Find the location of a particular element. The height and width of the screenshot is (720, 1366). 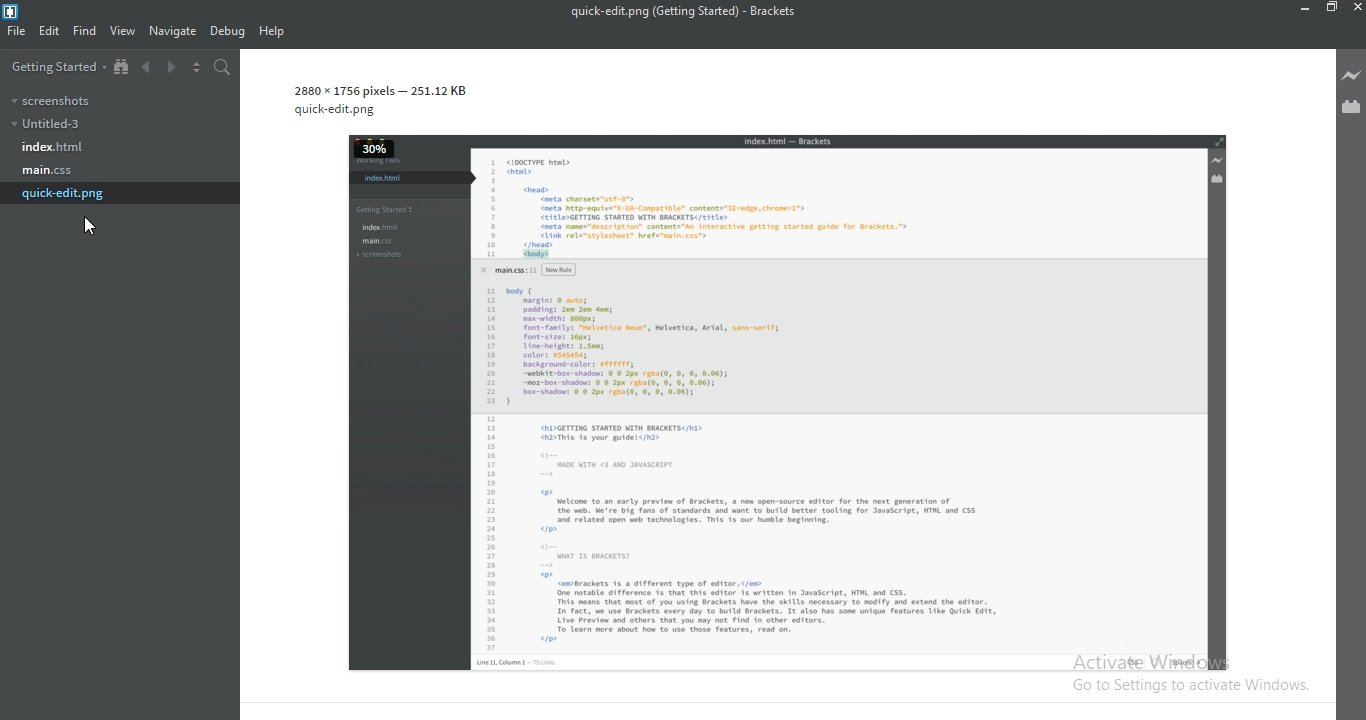

index.html is located at coordinates (50, 148).